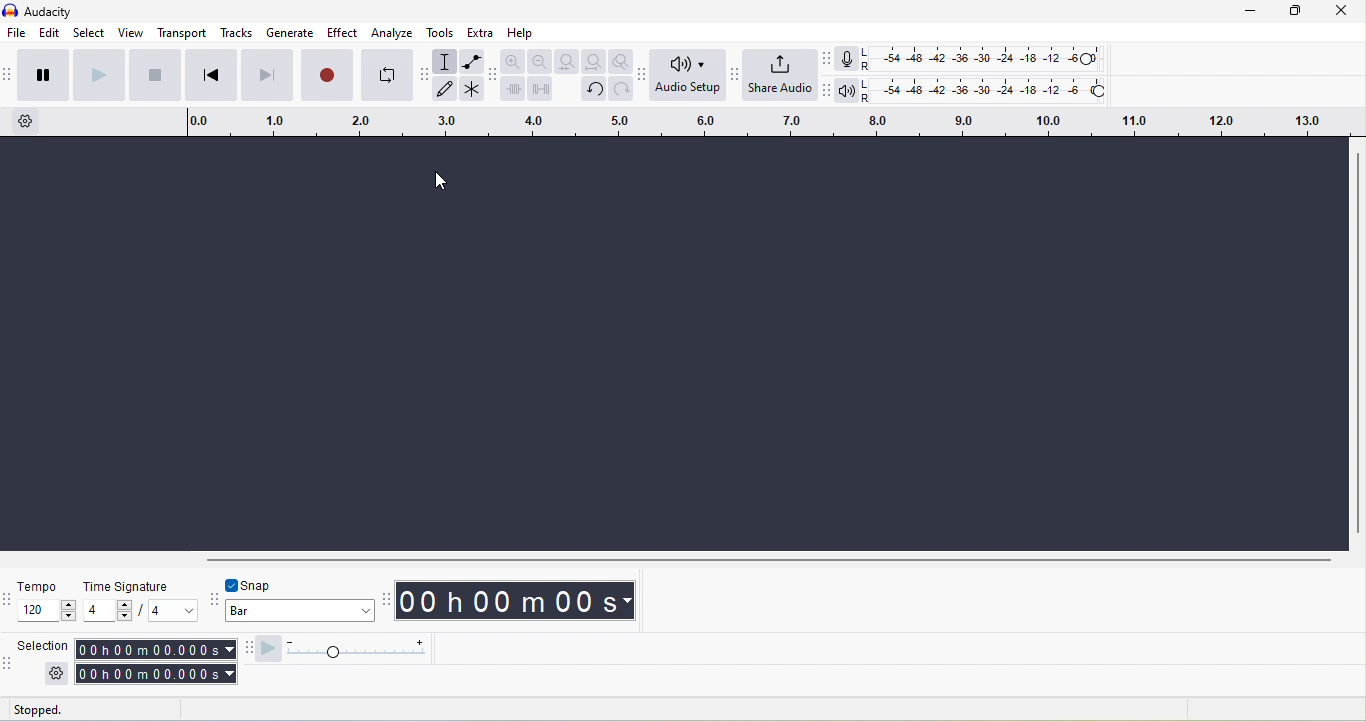  What do you see at coordinates (27, 121) in the screenshot?
I see `timeline option` at bounding box center [27, 121].